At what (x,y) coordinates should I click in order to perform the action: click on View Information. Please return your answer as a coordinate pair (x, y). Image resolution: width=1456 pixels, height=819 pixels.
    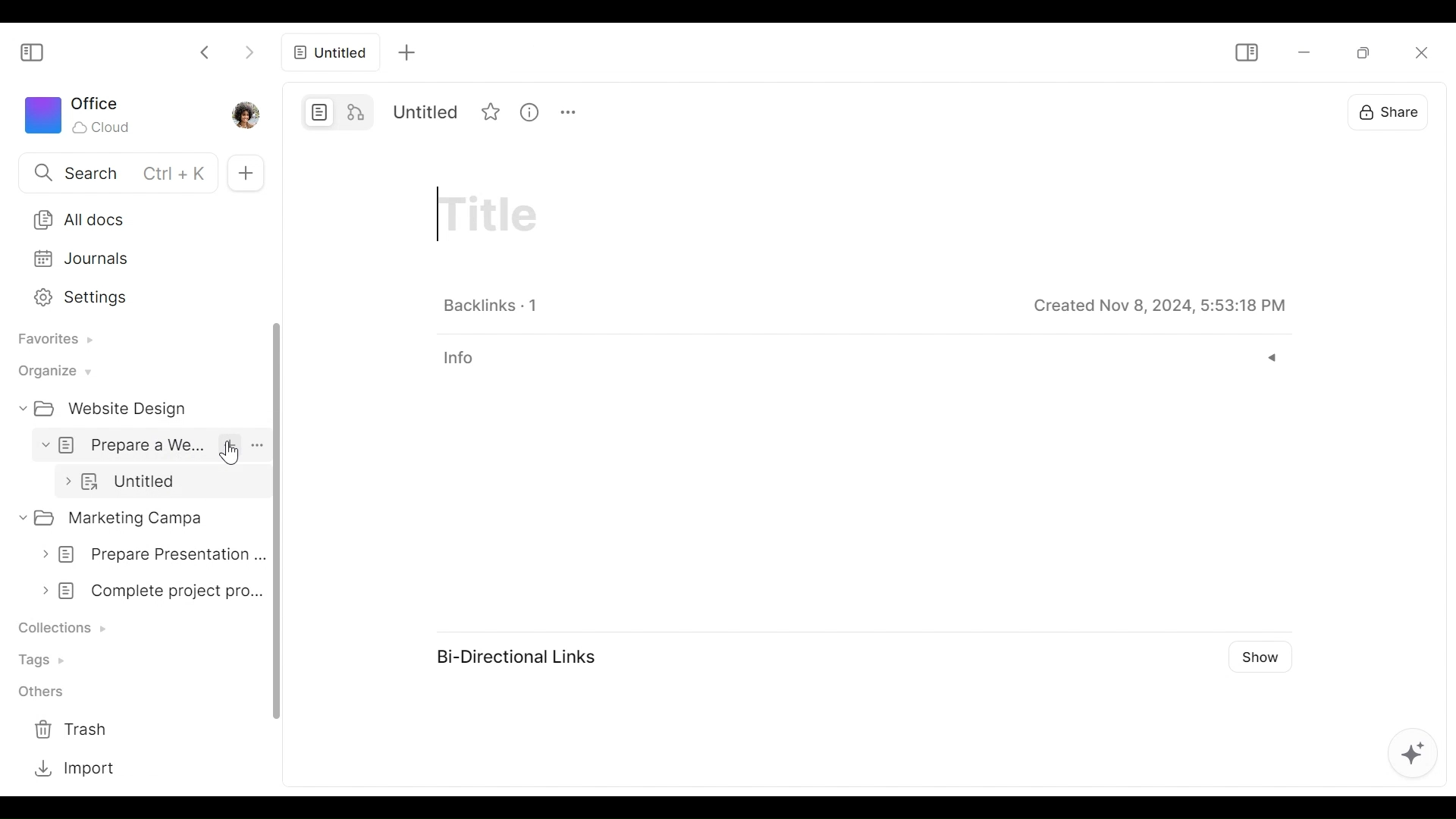
    Looking at the image, I should click on (861, 358).